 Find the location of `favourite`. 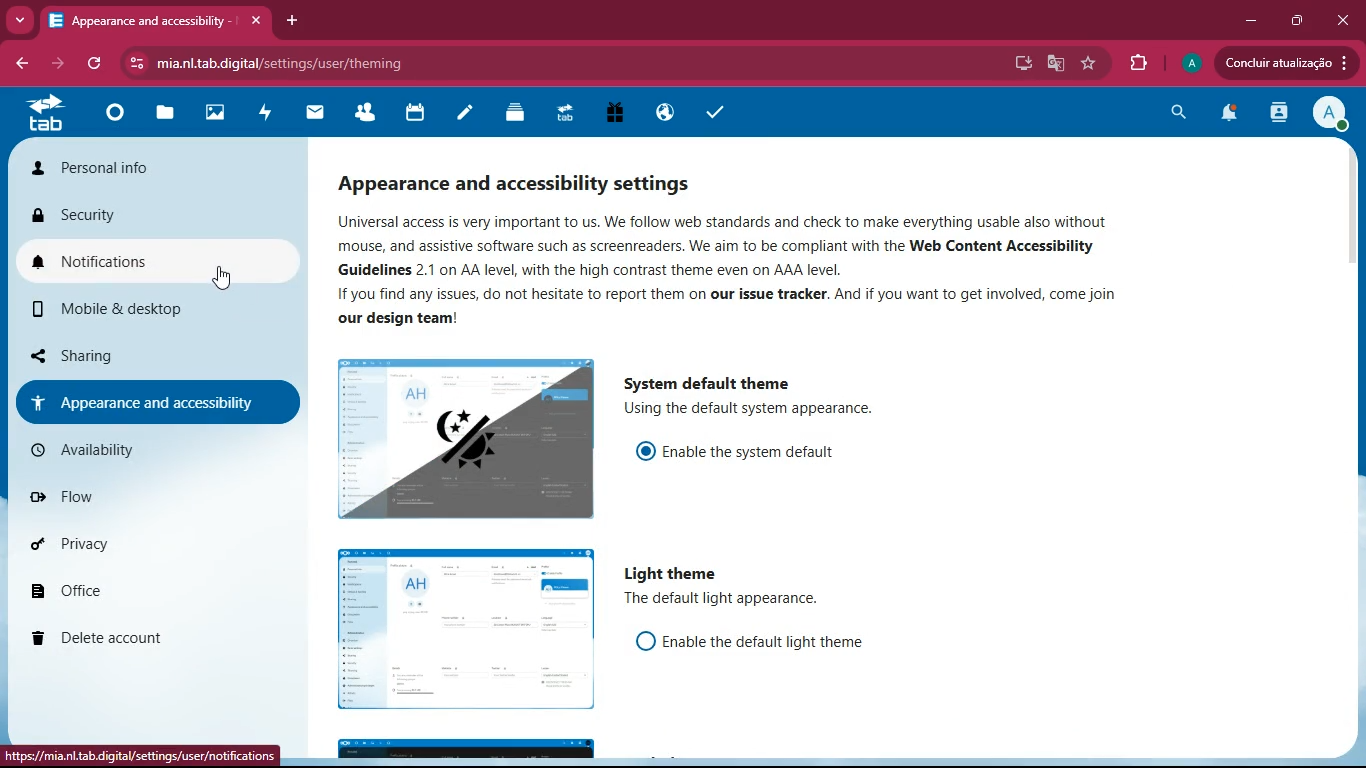

favourite is located at coordinates (1090, 63).